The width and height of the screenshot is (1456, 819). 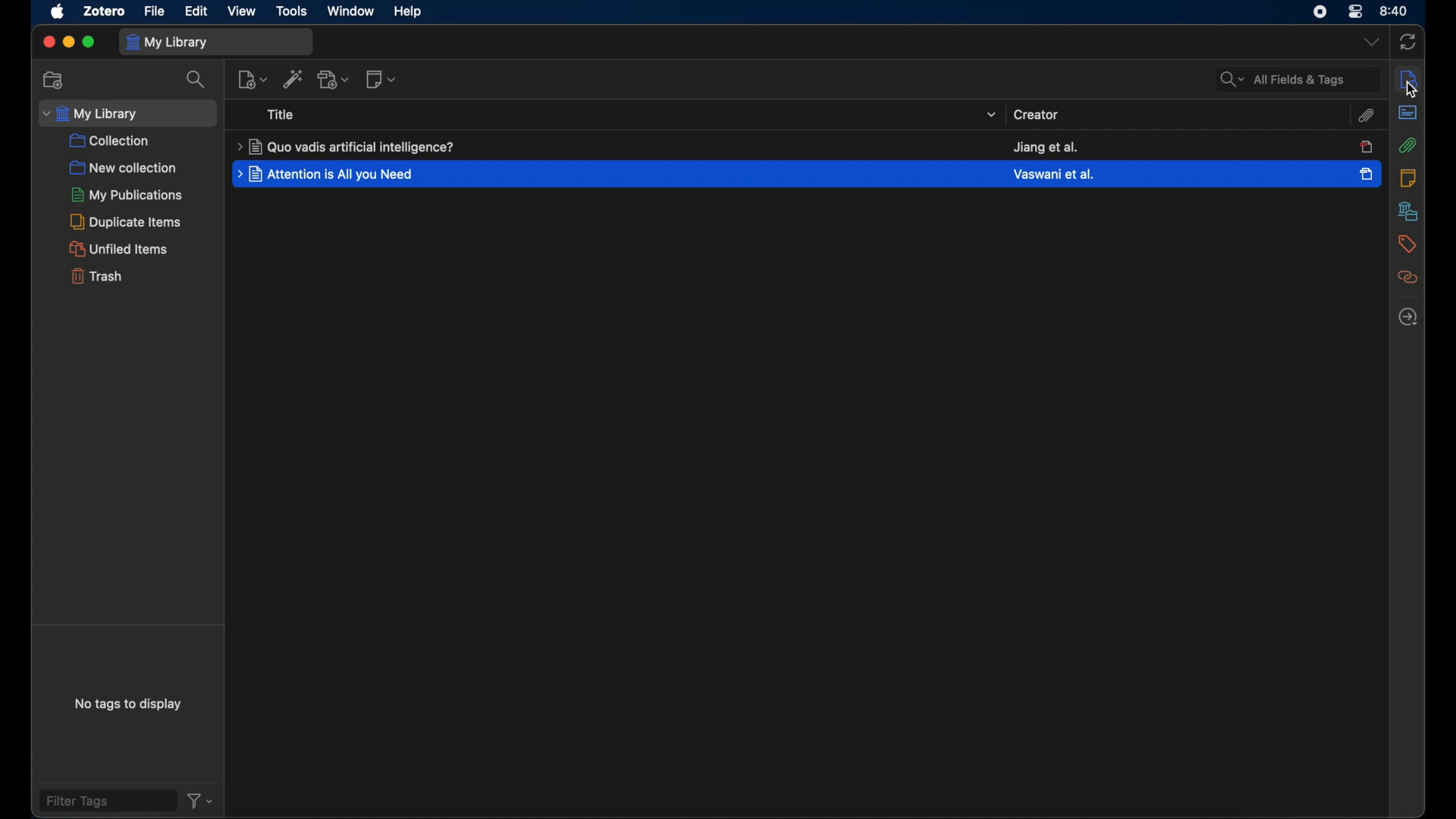 What do you see at coordinates (119, 249) in the screenshot?
I see `unified items` at bounding box center [119, 249].